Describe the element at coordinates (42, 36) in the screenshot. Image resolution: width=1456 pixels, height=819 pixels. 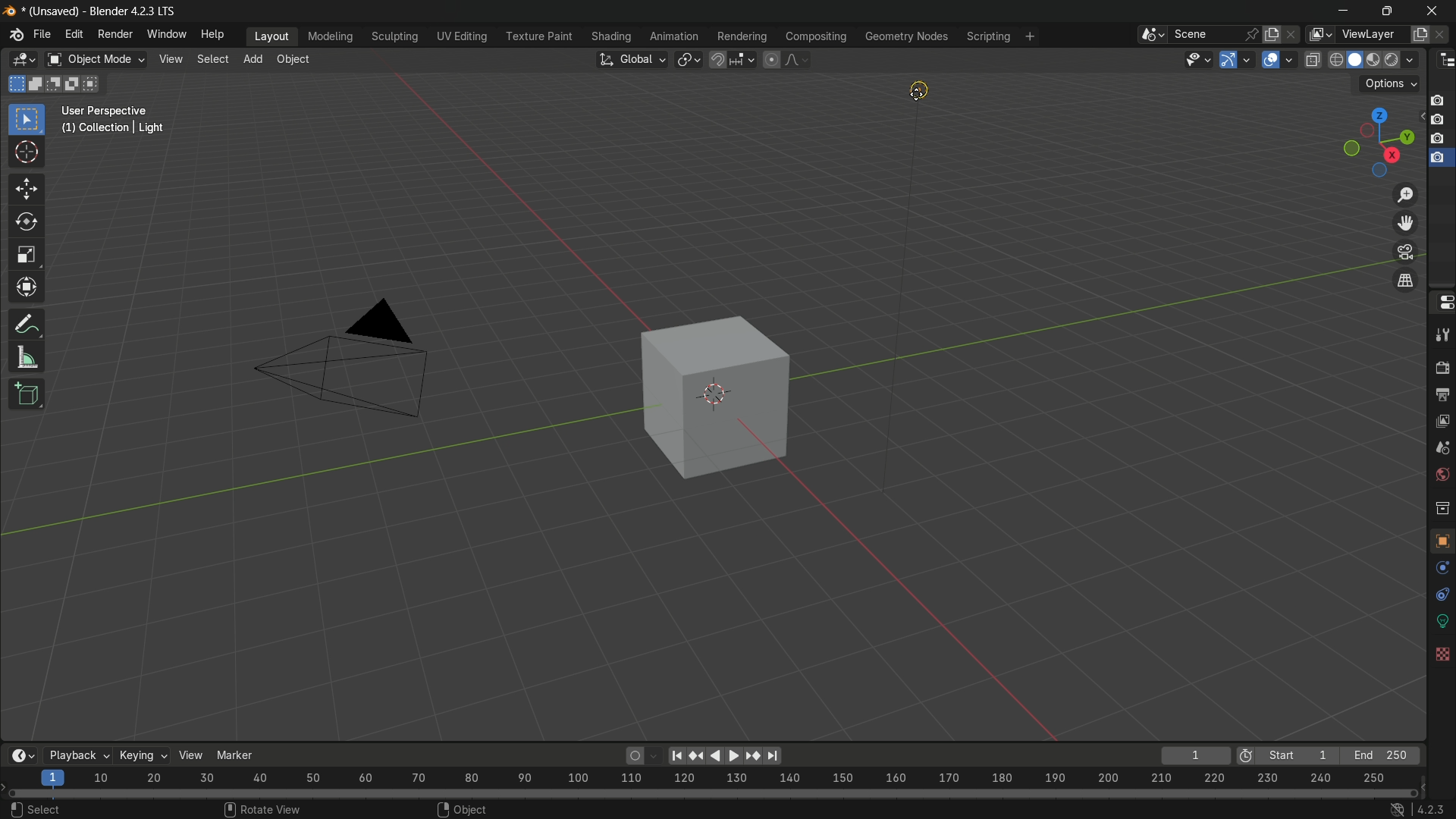
I see `file menu` at that location.